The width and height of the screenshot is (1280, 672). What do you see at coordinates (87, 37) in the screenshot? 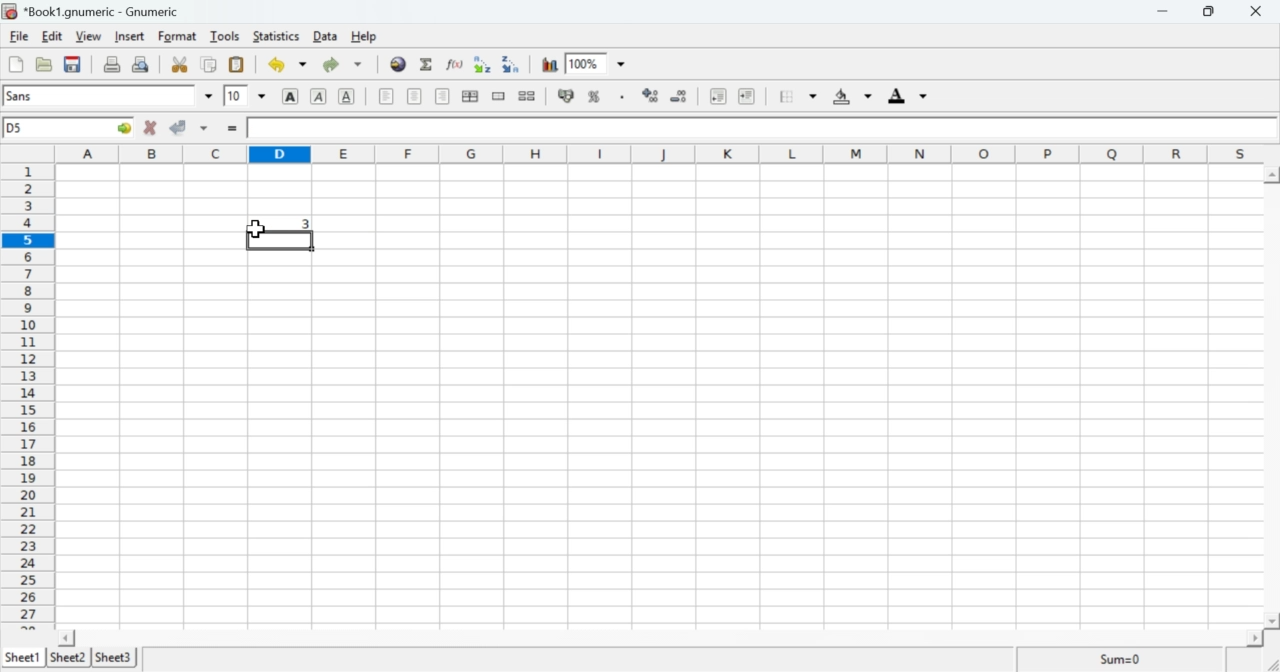
I see `View` at bounding box center [87, 37].